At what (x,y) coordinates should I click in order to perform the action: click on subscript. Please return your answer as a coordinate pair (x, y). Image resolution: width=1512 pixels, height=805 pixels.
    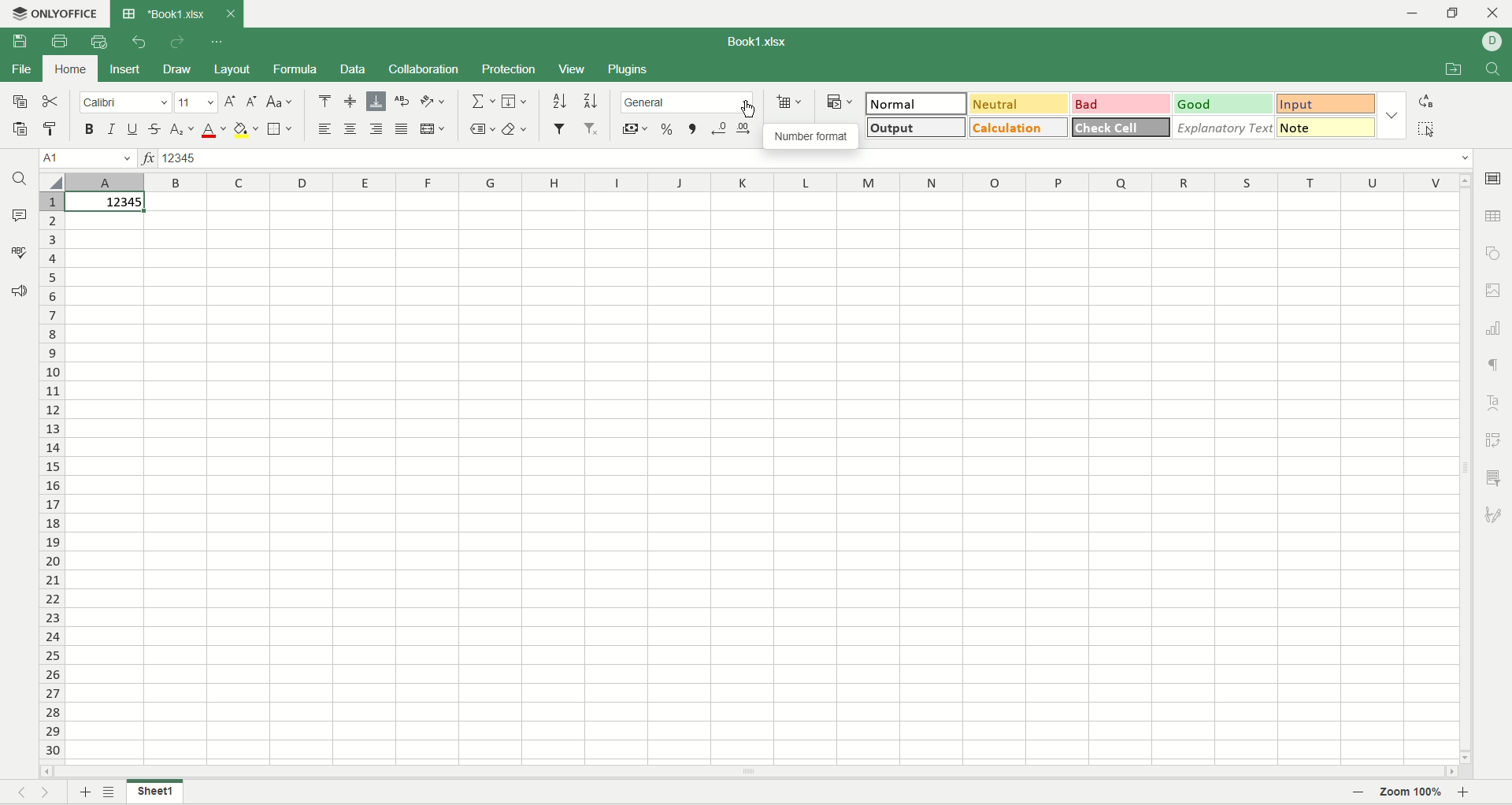
    Looking at the image, I should click on (181, 130).